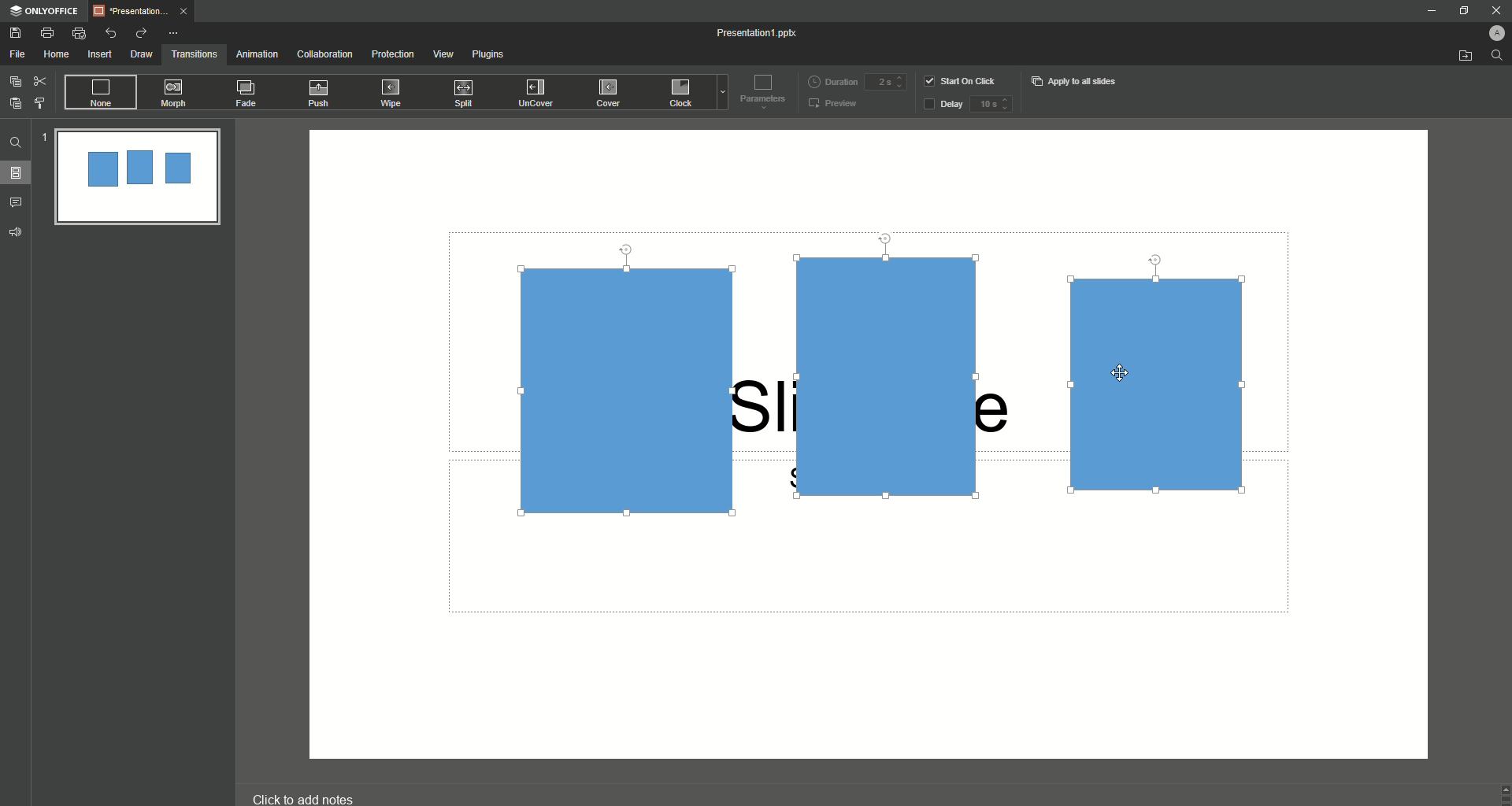  I want to click on Slide Preview, so click(136, 179).